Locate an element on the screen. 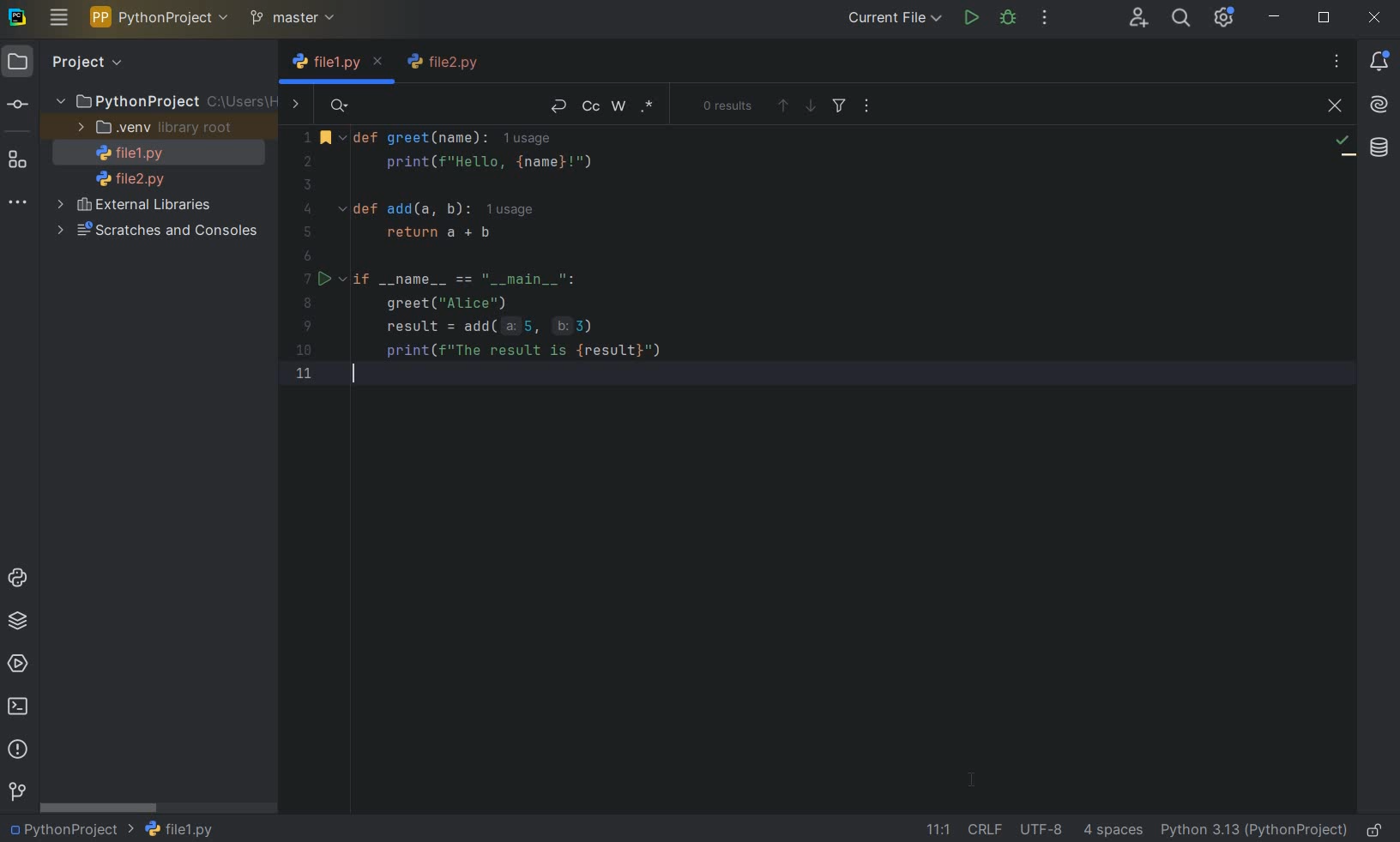  DEBUG is located at coordinates (1010, 19).